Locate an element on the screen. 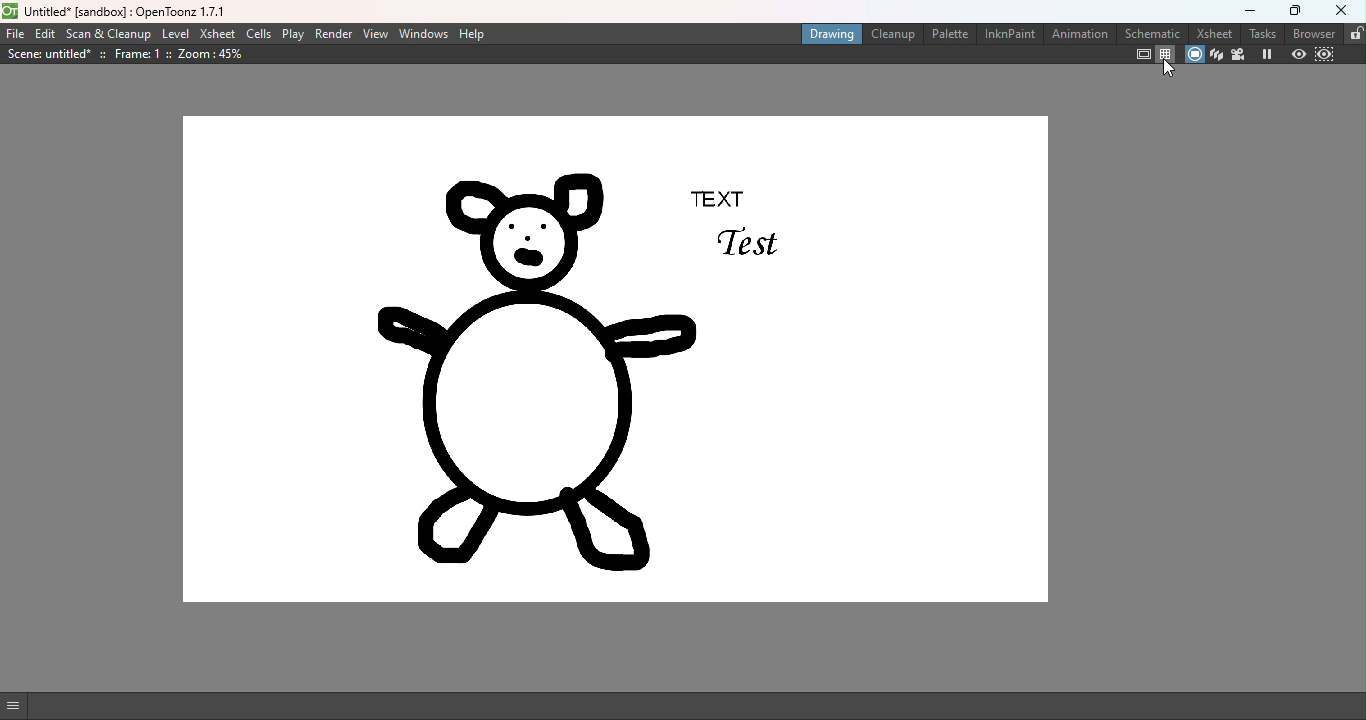 This screenshot has height=720, width=1366. Cells is located at coordinates (260, 33).